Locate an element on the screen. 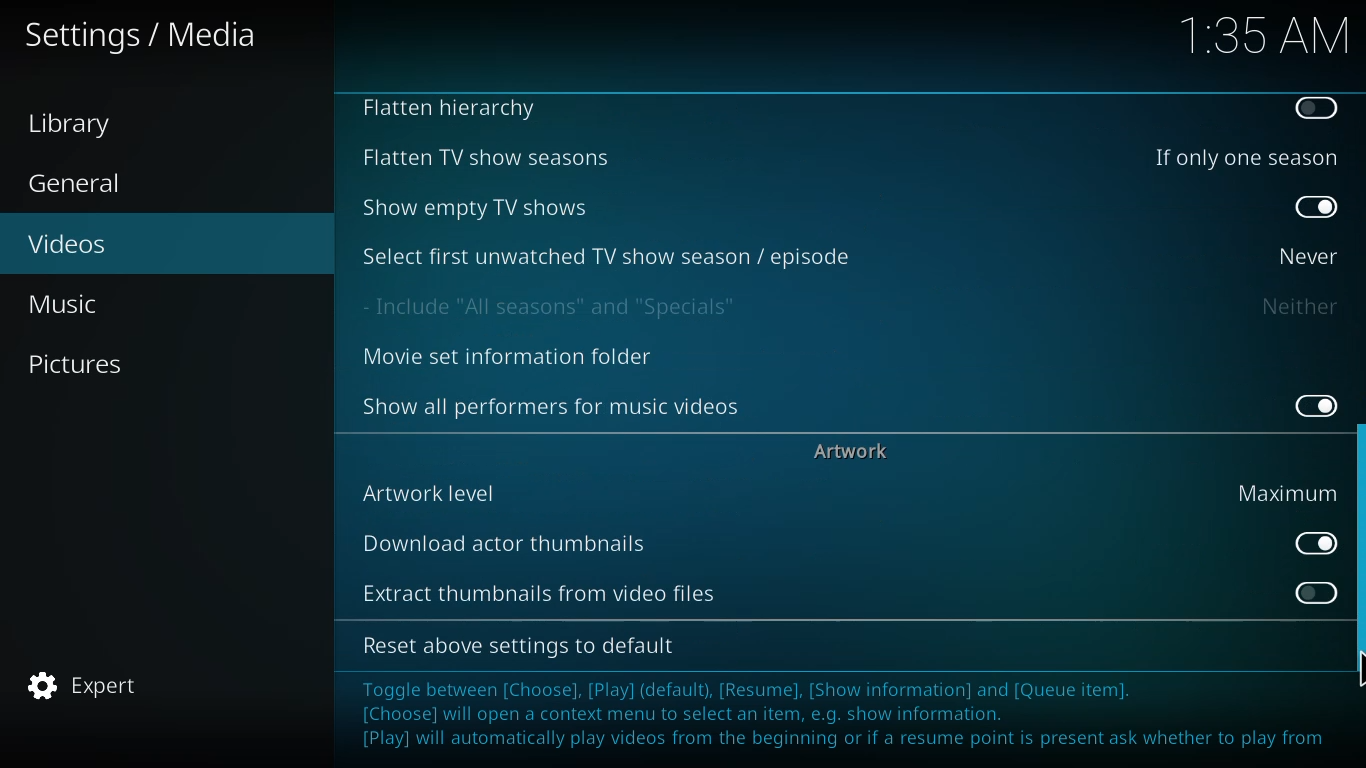 Image resolution: width=1366 pixels, height=768 pixels. flatten hierarchy is located at coordinates (455, 110).